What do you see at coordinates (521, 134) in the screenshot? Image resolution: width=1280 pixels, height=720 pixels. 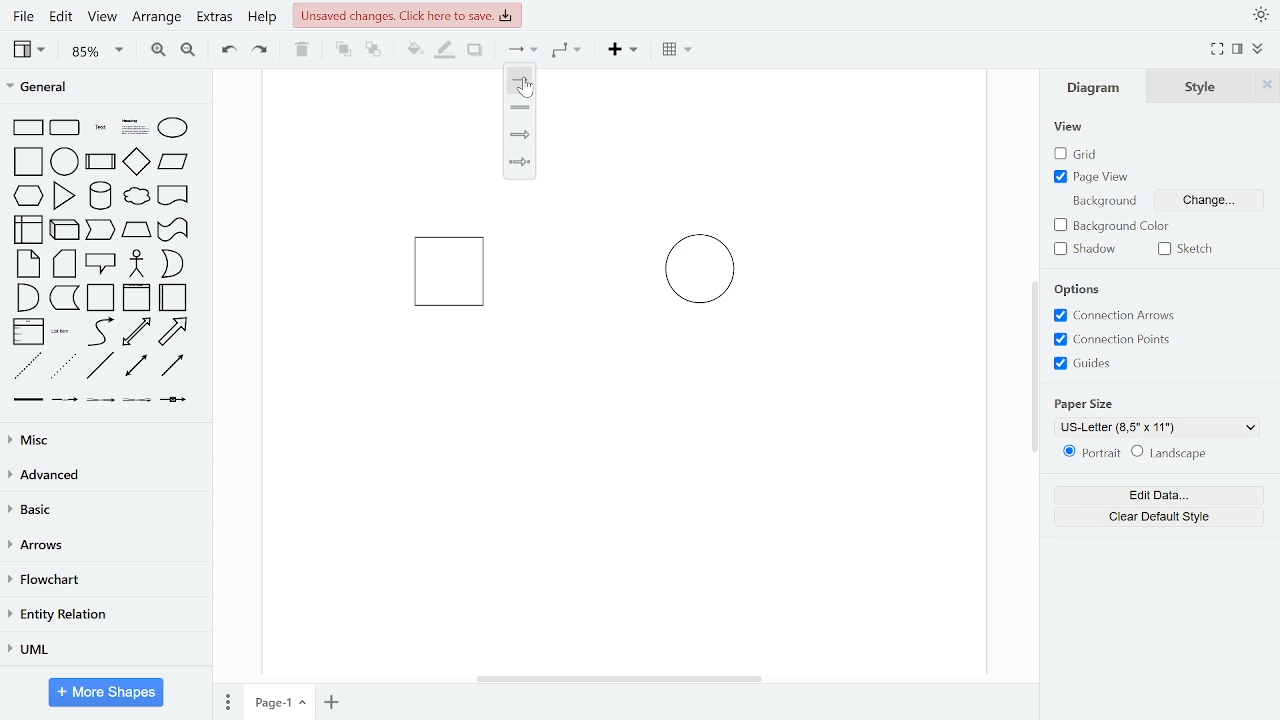 I see `arrow` at bounding box center [521, 134].